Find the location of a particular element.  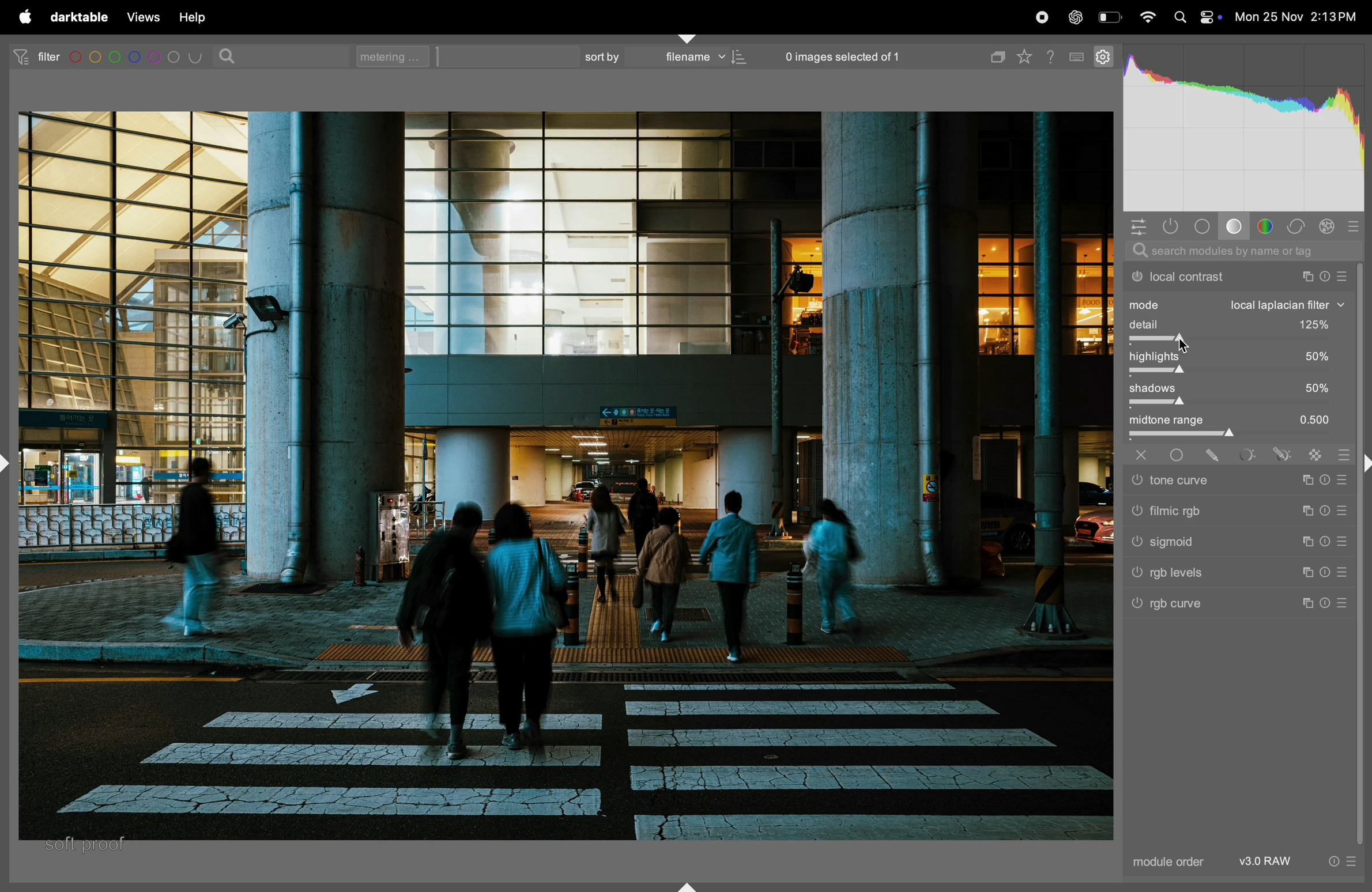

rgb curve switched off is located at coordinates (1139, 605).